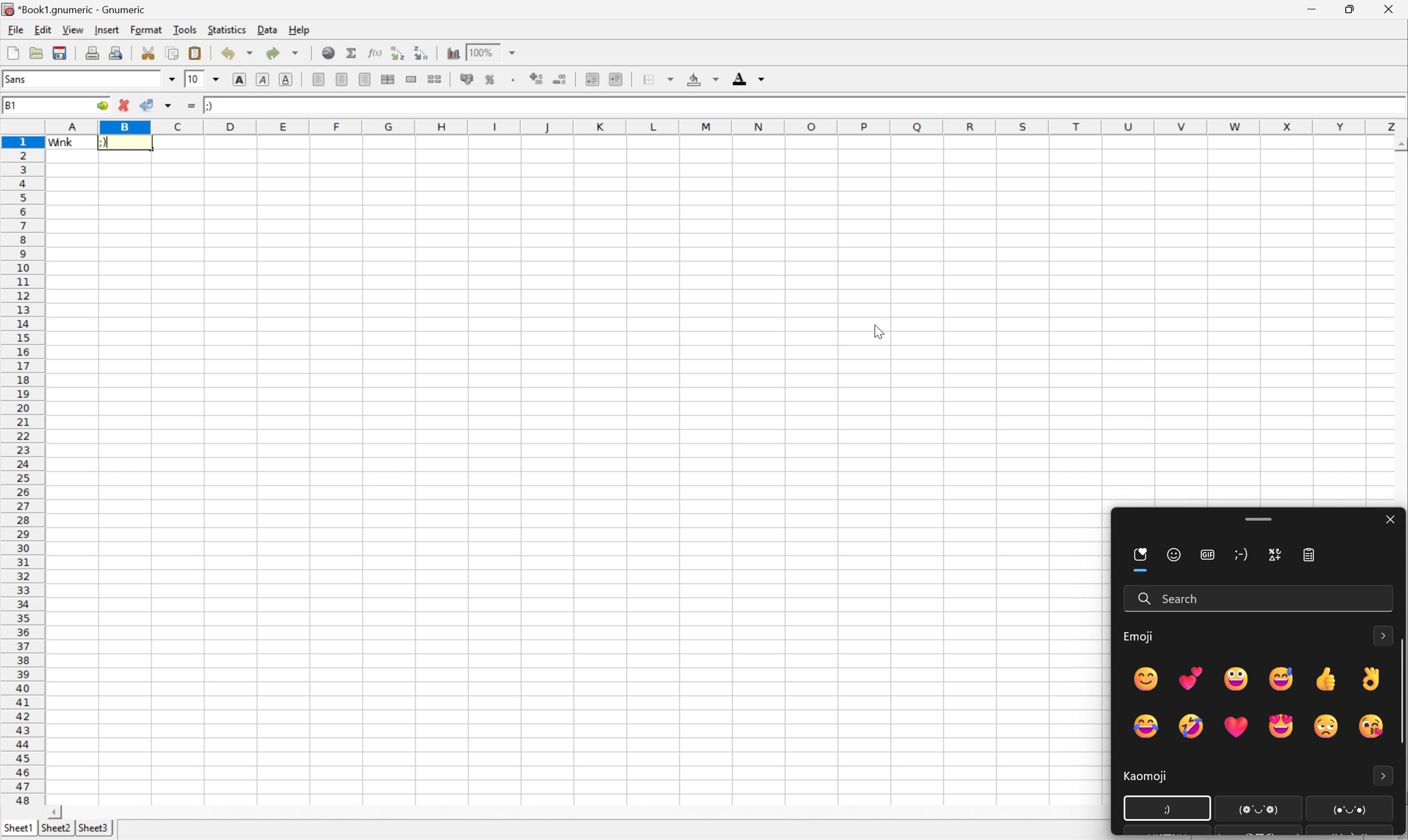 The height and width of the screenshot is (840, 1408). What do you see at coordinates (328, 53) in the screenshot?
I see `insert hyperlink` at bounding box center [328, 53].